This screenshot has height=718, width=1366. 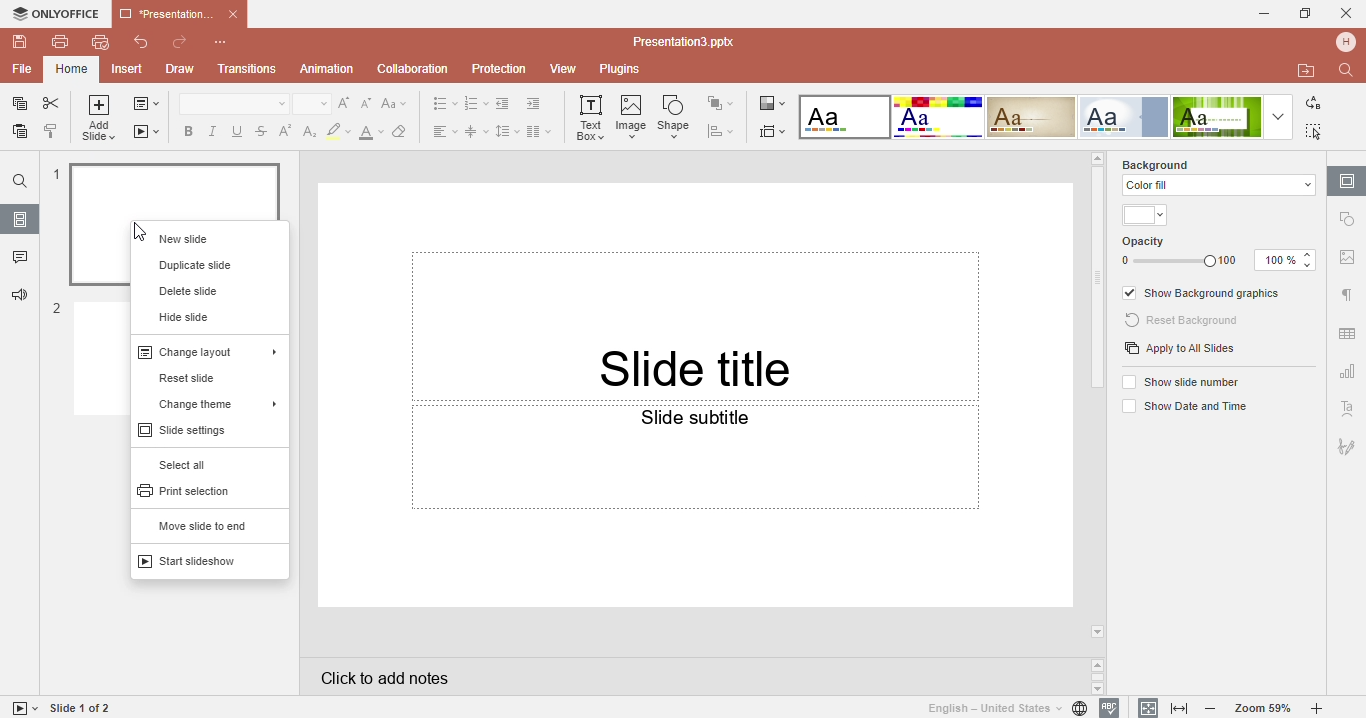 What do you see at coordinates (477, 131) in the screenshot?
I see `Vertical align` at bounding box center [477, 131].